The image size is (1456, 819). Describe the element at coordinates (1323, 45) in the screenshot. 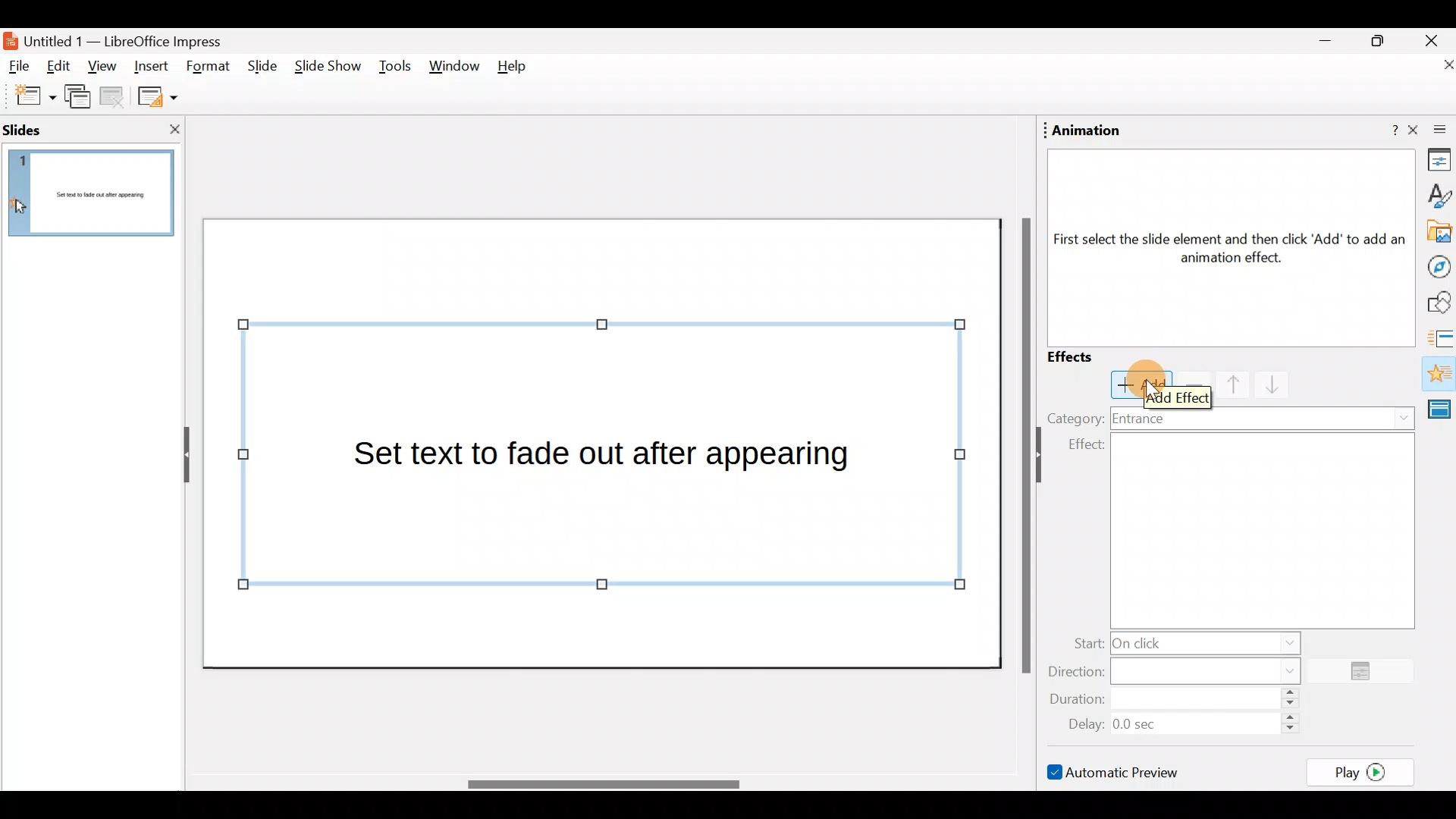

I see `Minimise` at that location.